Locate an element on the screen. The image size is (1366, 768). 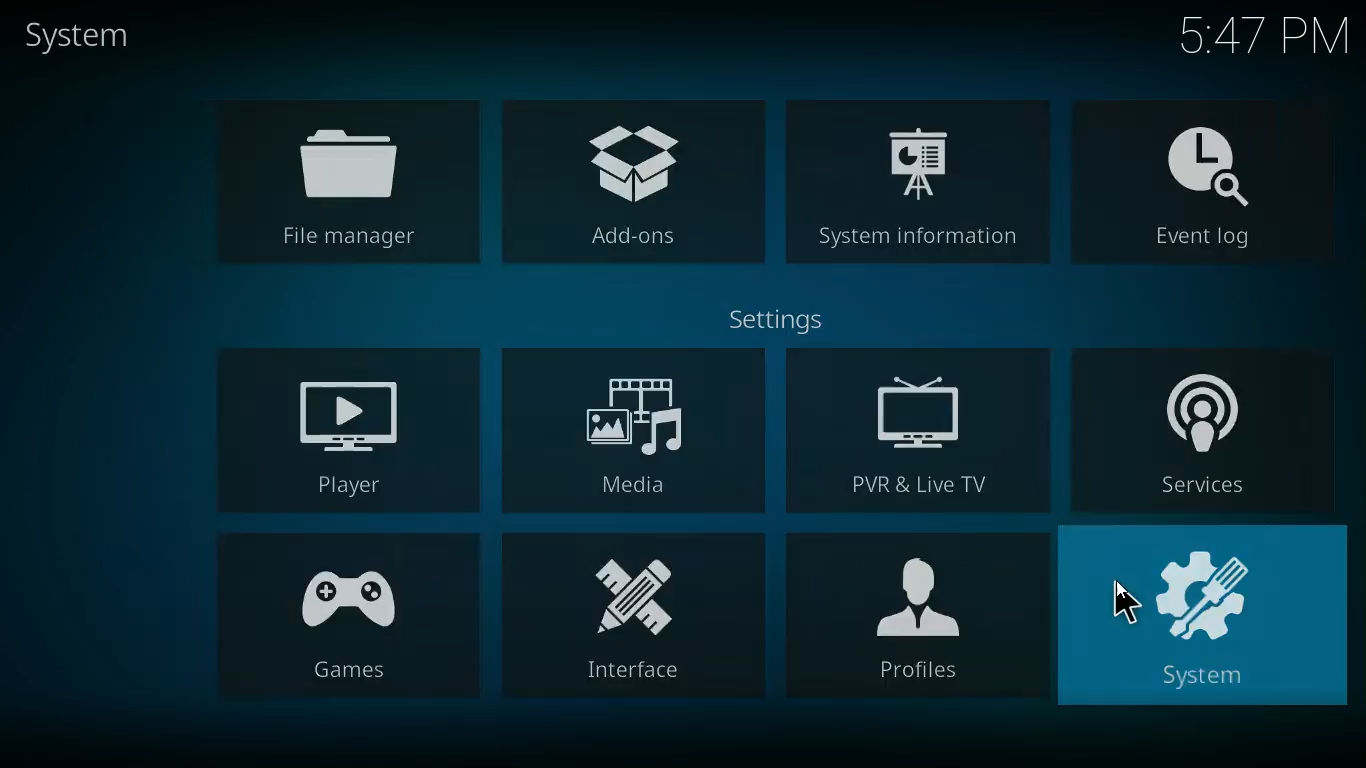
system information is located at coordinates (924, 186).